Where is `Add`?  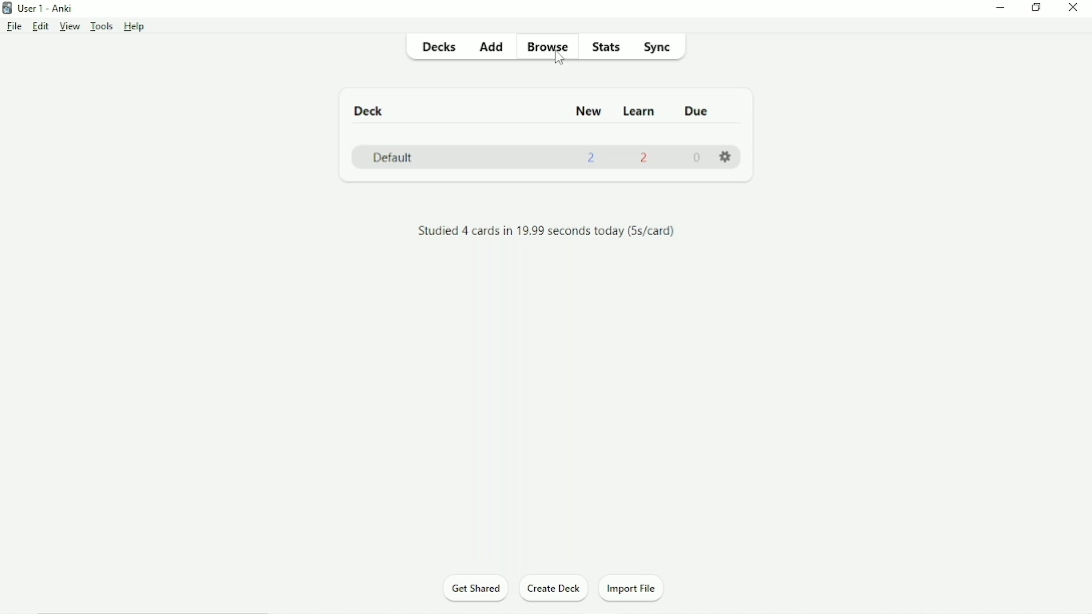 Add is located at coordinates (492, 46).